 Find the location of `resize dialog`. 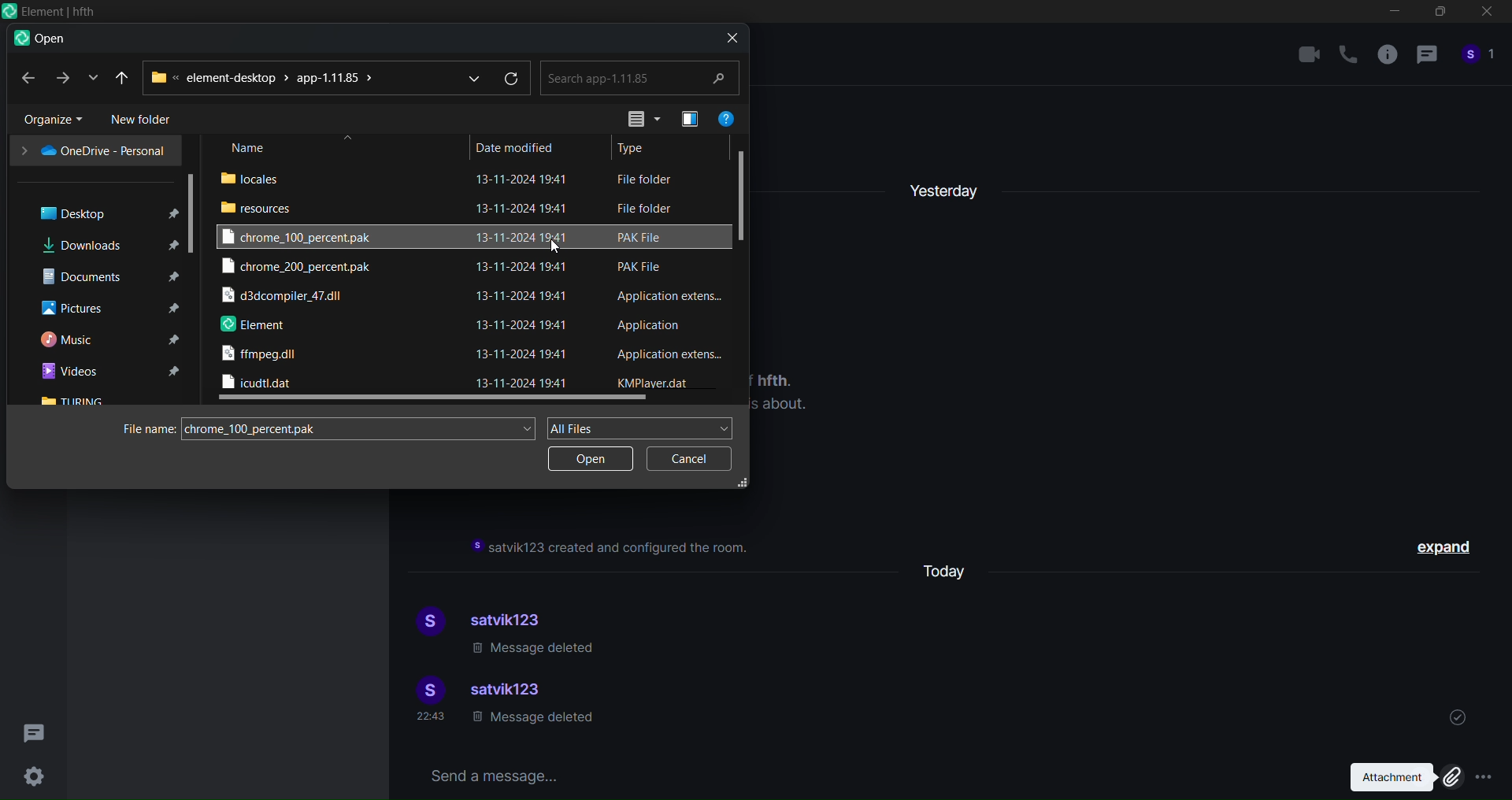

resize dialog is located at coordinates (743, 483).